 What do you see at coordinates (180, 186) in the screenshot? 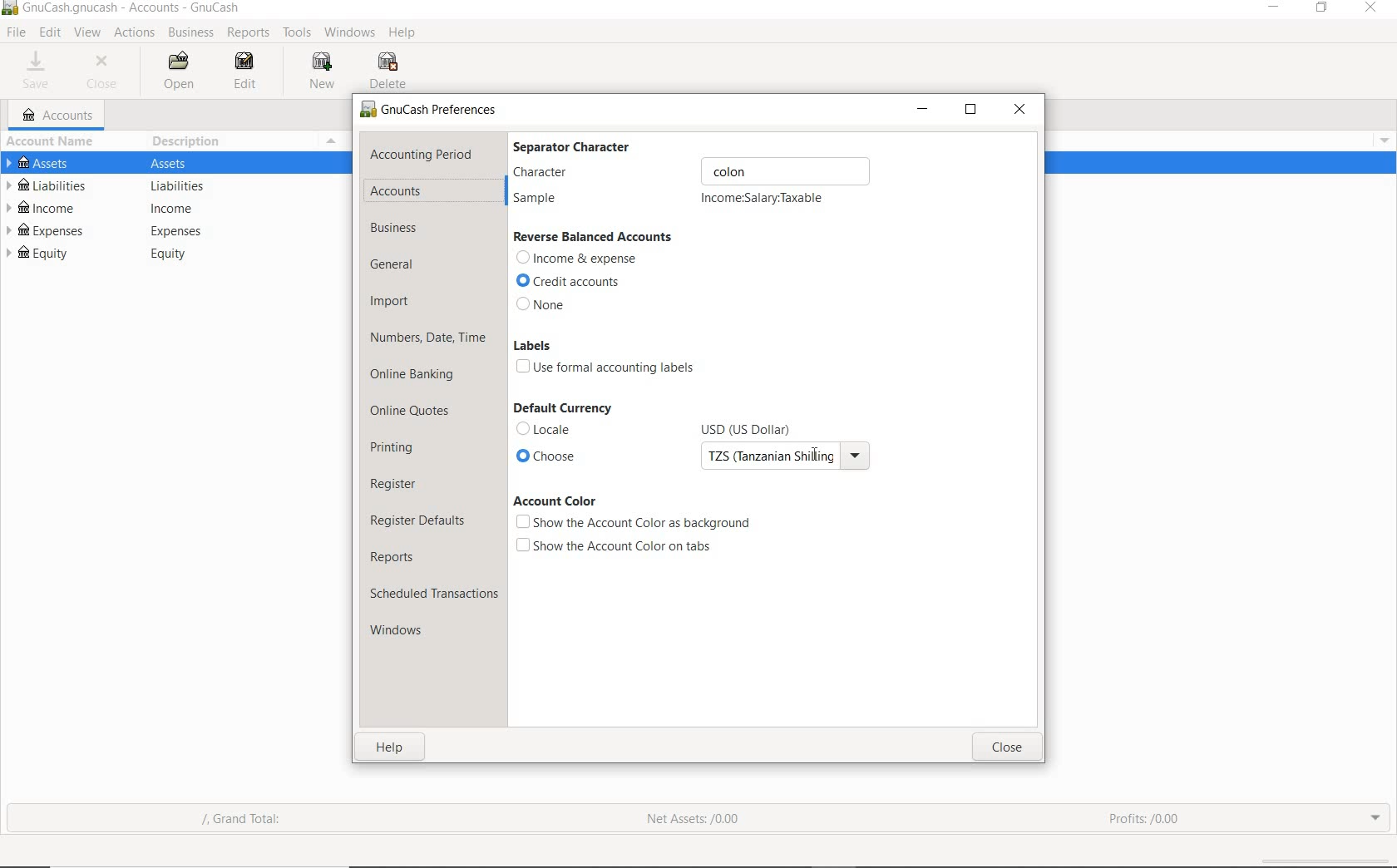
I see `` at bounding box center [180, 186].